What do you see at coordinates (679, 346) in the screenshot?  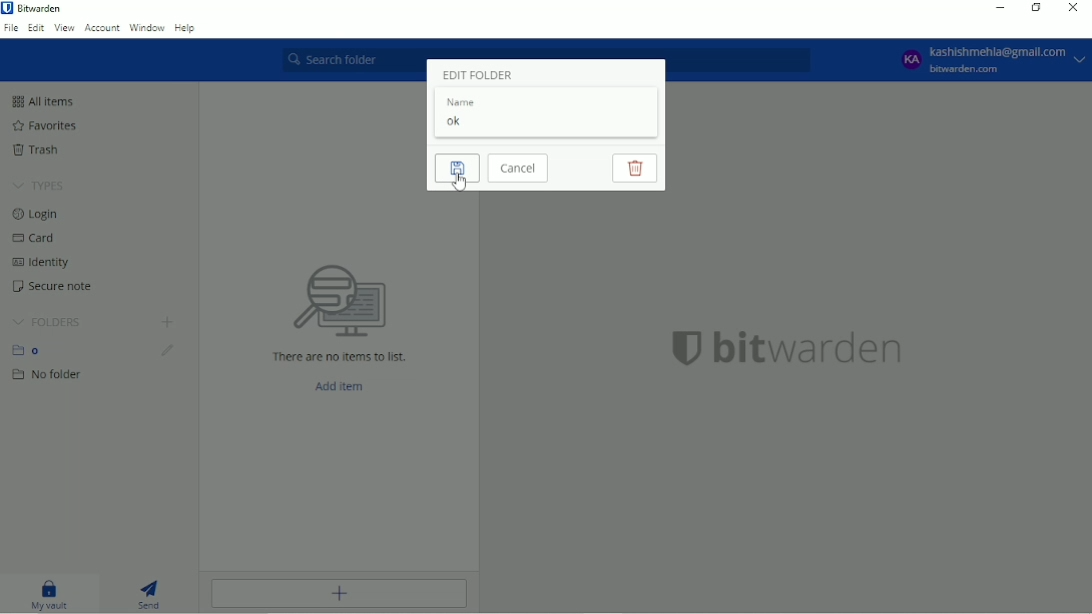 I see `bitwarden logo` at bounding box center [679, 346].